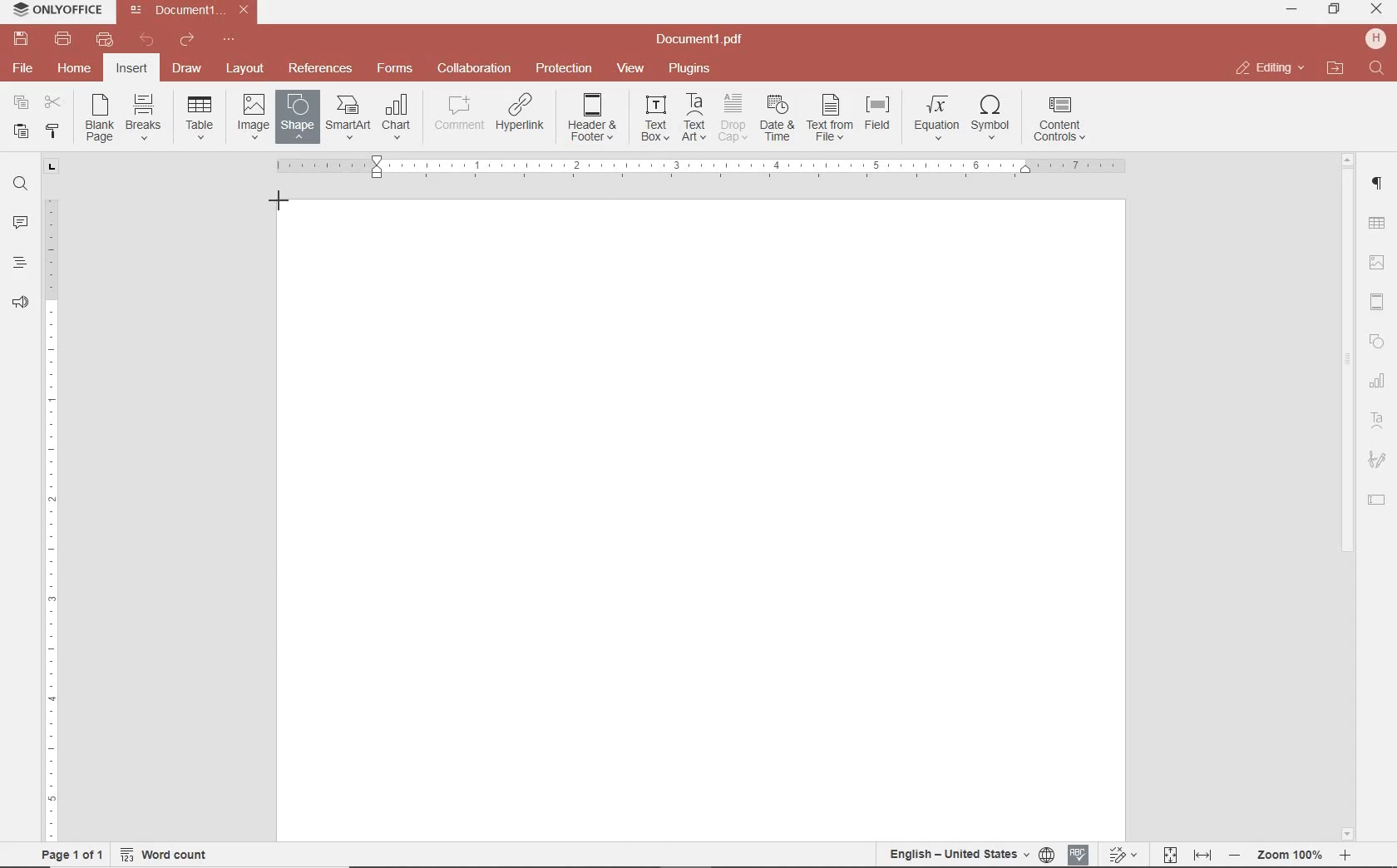 The image size is (1397, 868). I want to click on , so click(699, 166).